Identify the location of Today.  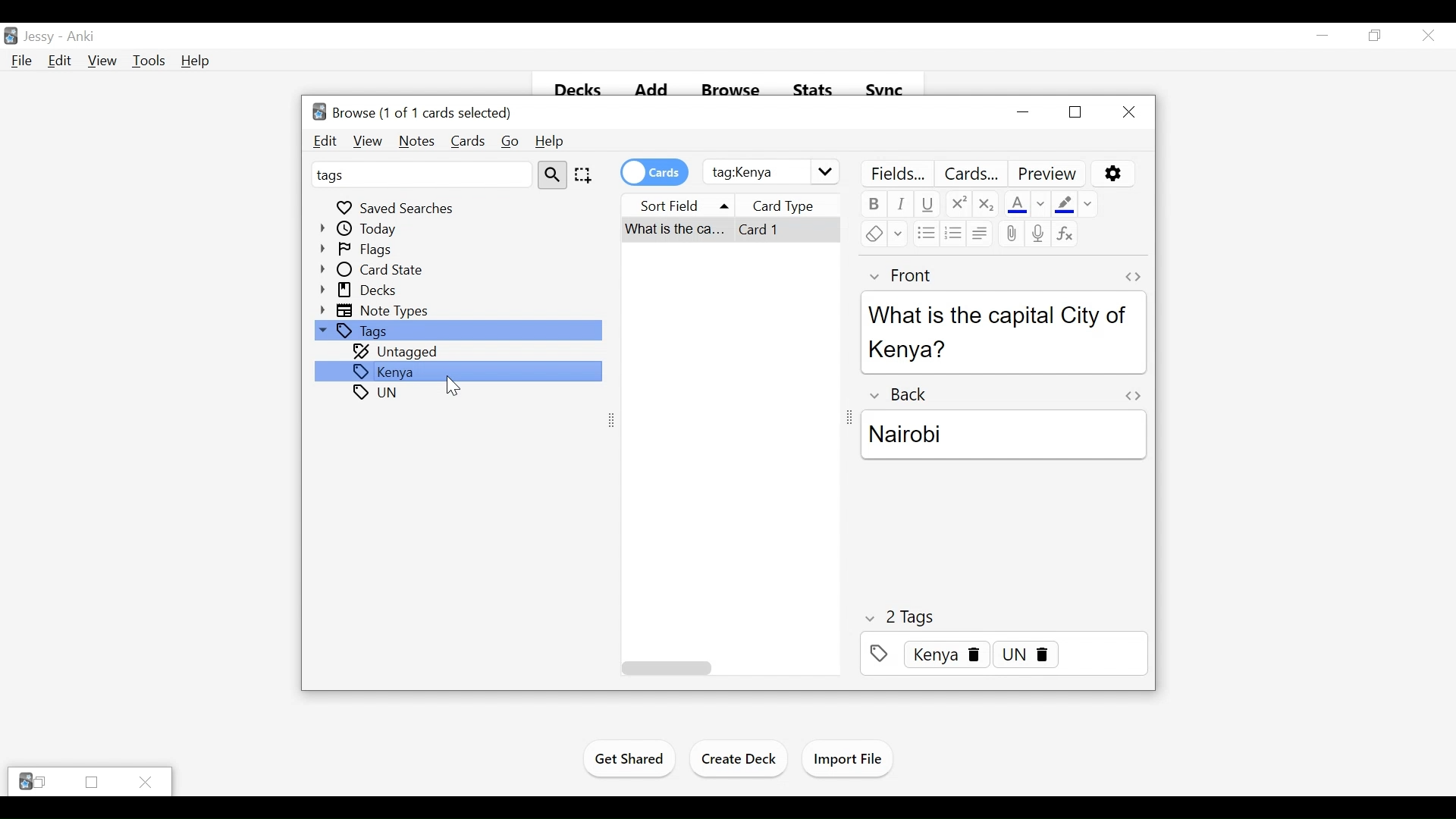
(361, 228).